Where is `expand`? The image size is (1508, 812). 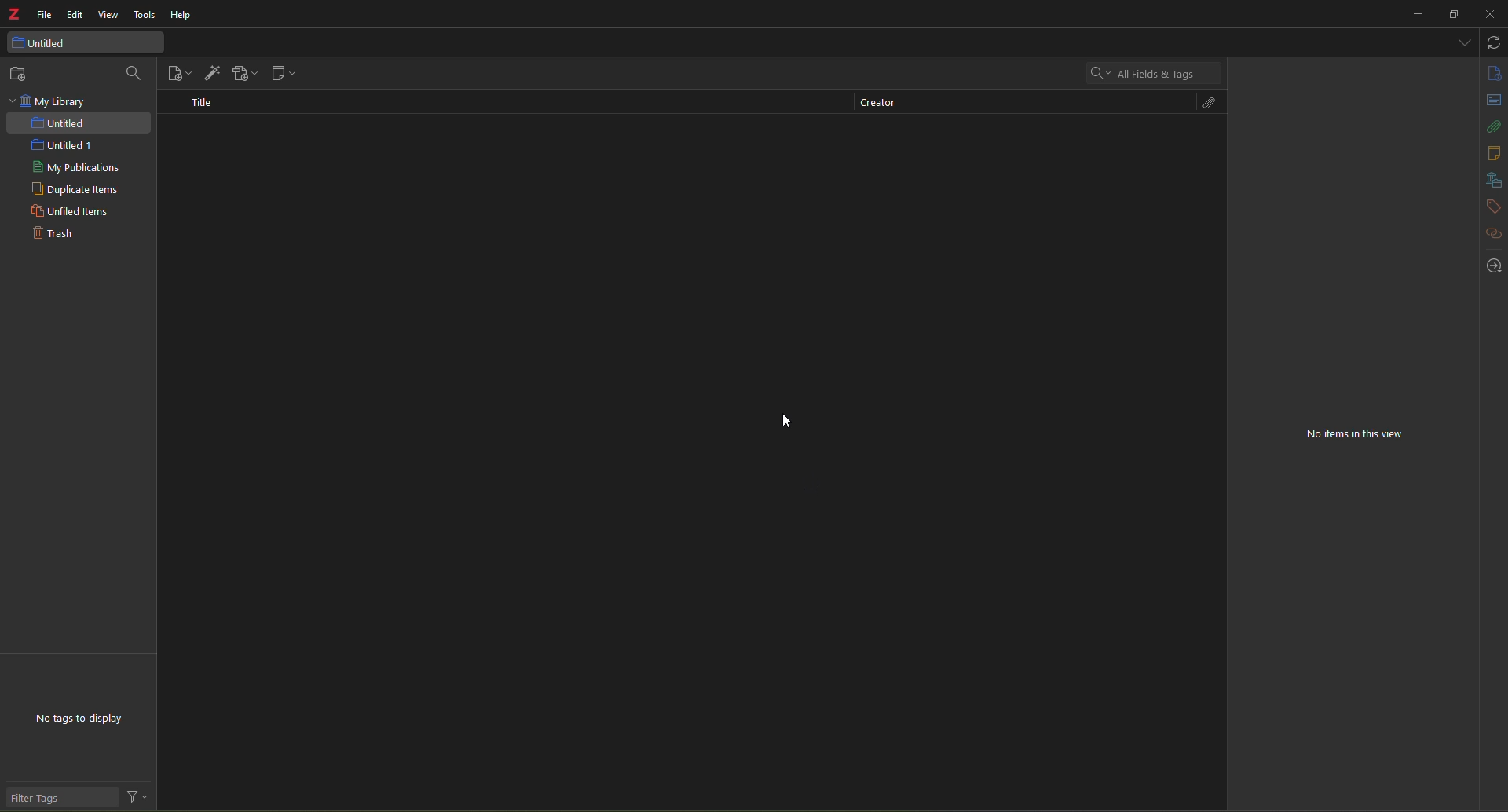
expand is located at coordinates (1468, 210).